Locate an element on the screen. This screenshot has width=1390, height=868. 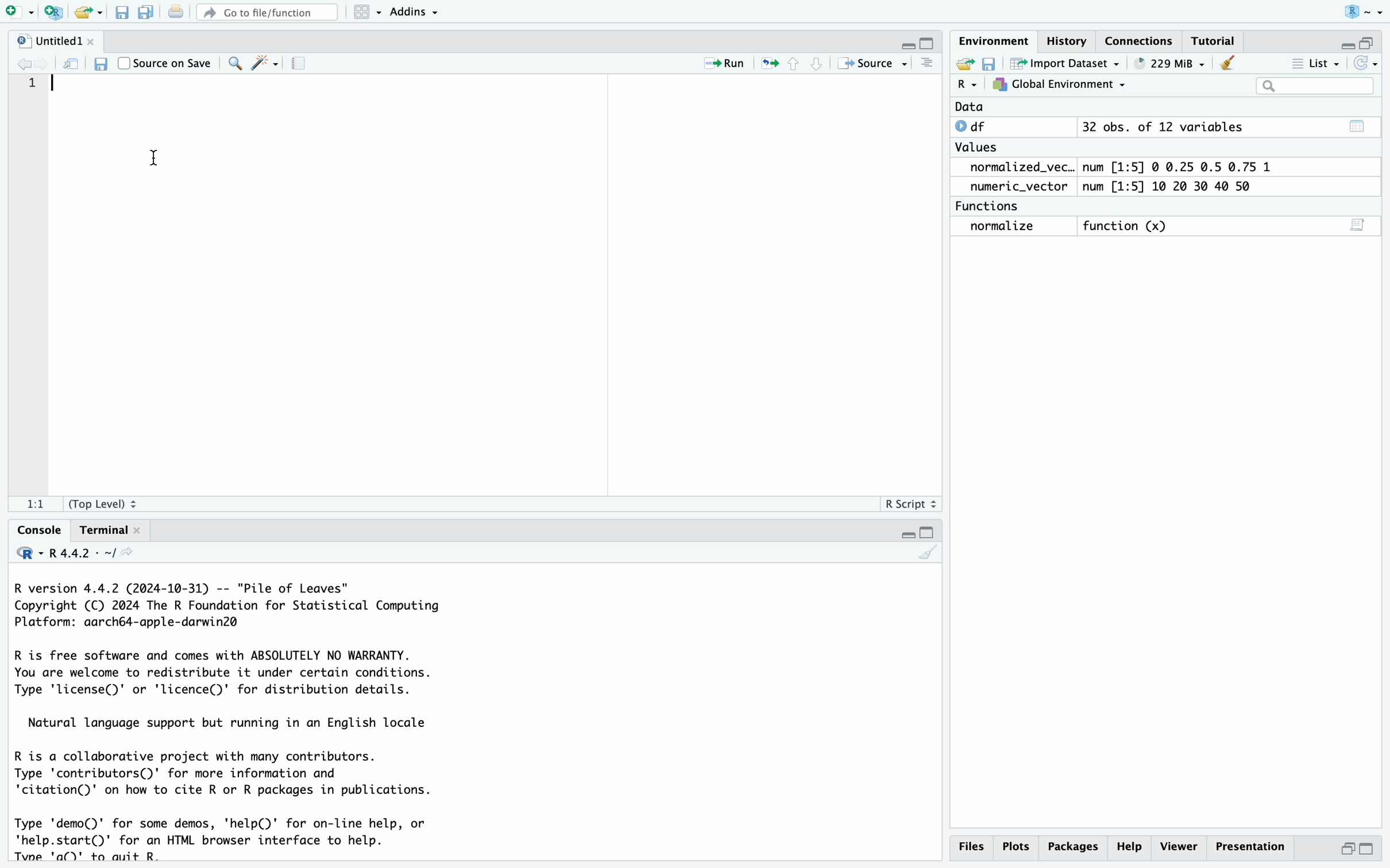
print the current file is located at coordinates (177, 12).